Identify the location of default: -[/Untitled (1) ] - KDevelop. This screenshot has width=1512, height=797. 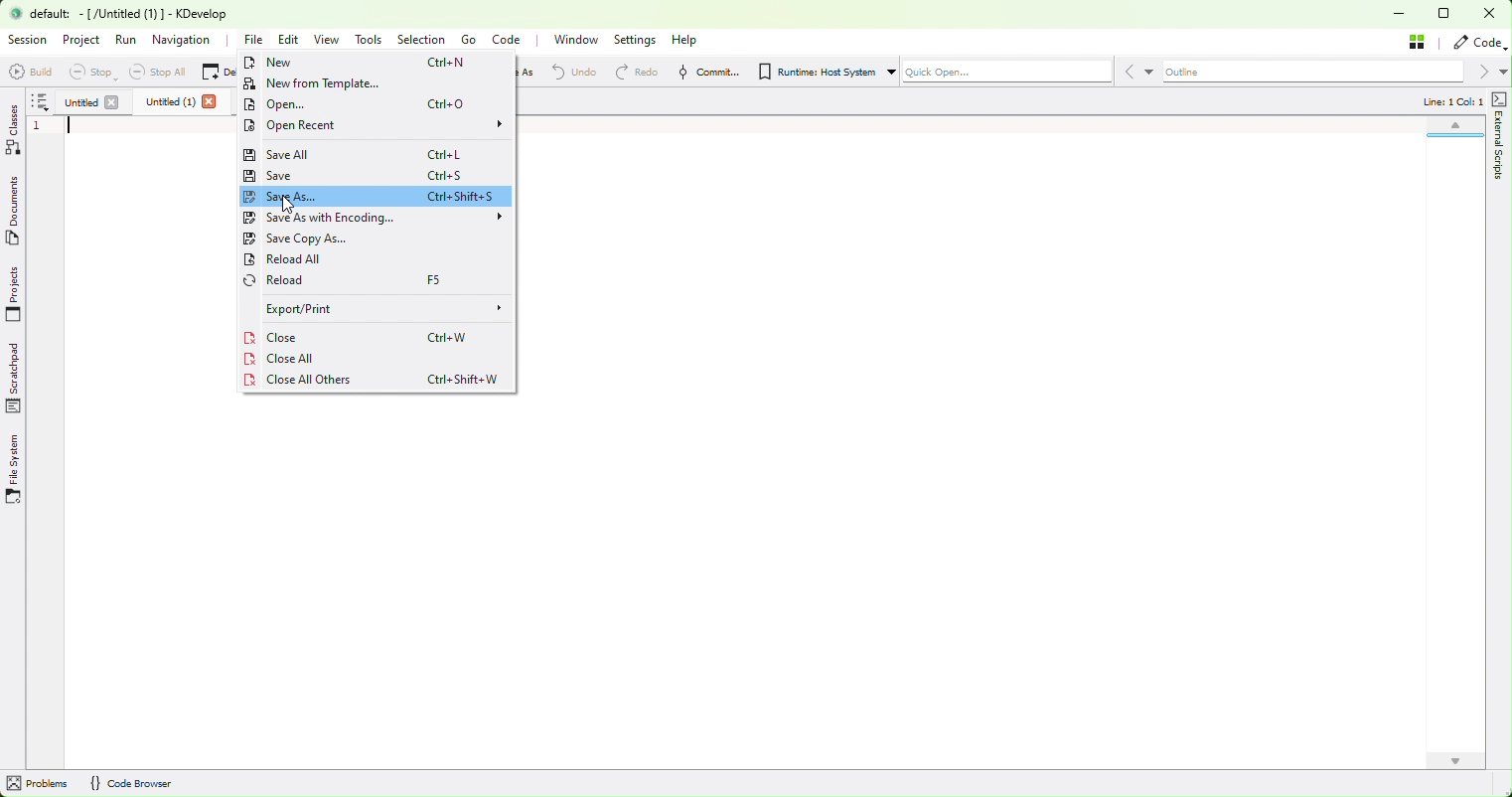
(129, 14).